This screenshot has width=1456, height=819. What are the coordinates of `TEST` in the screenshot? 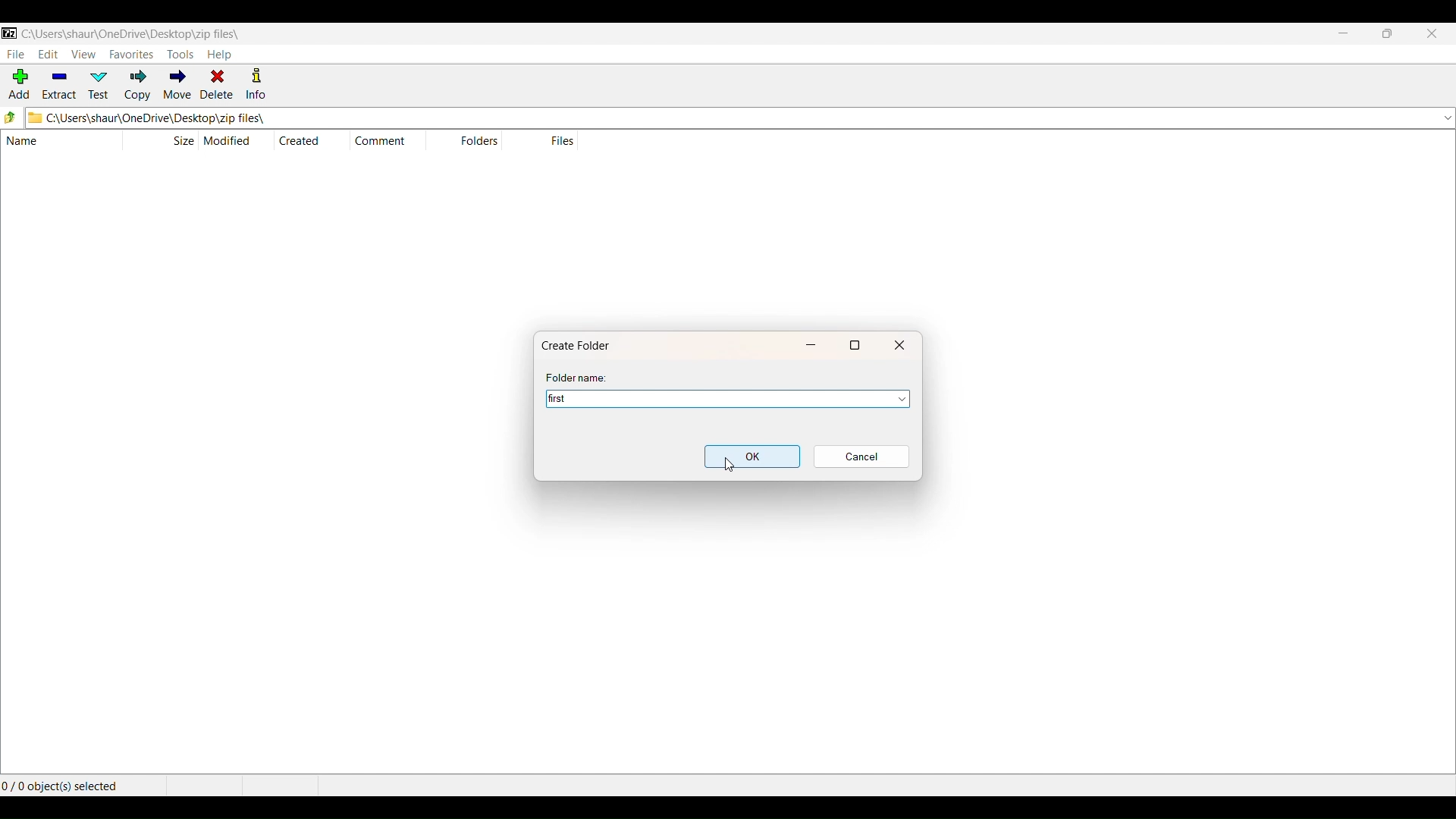 It's located at (101, 85).